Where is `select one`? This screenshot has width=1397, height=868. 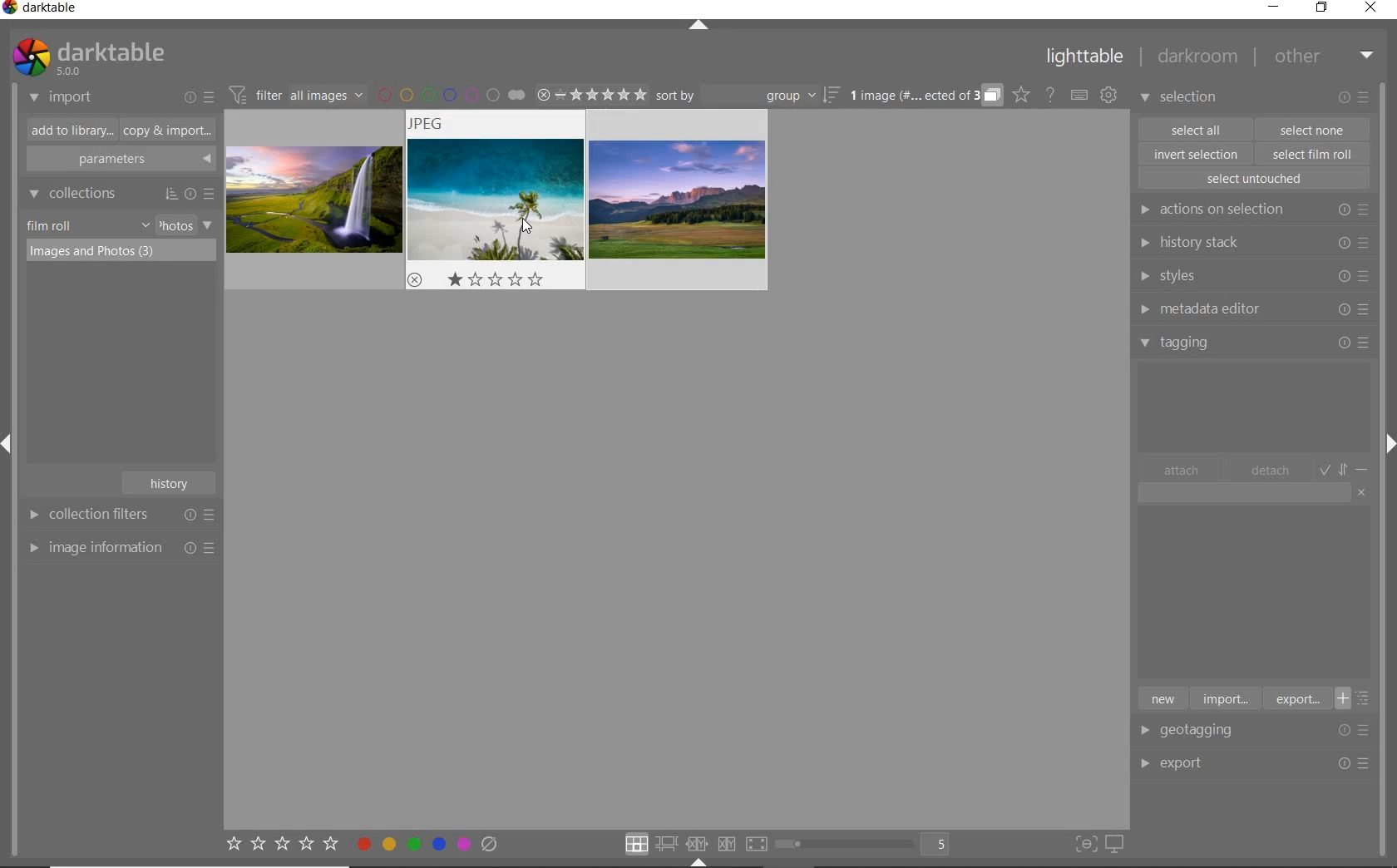 select one is located at coordinates (1312, 129).